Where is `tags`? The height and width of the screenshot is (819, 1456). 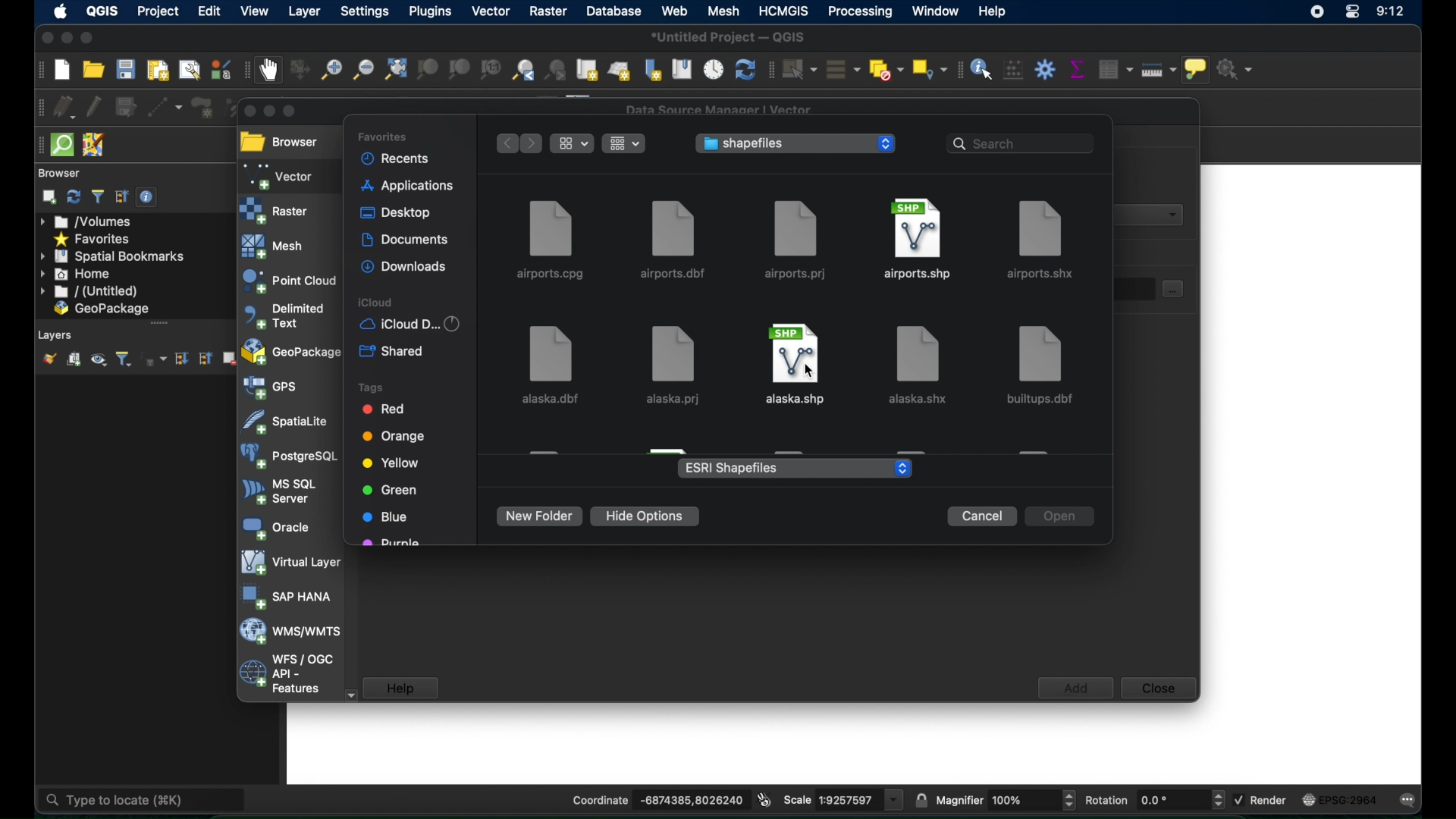
tags is located at coordinates (371, 388).